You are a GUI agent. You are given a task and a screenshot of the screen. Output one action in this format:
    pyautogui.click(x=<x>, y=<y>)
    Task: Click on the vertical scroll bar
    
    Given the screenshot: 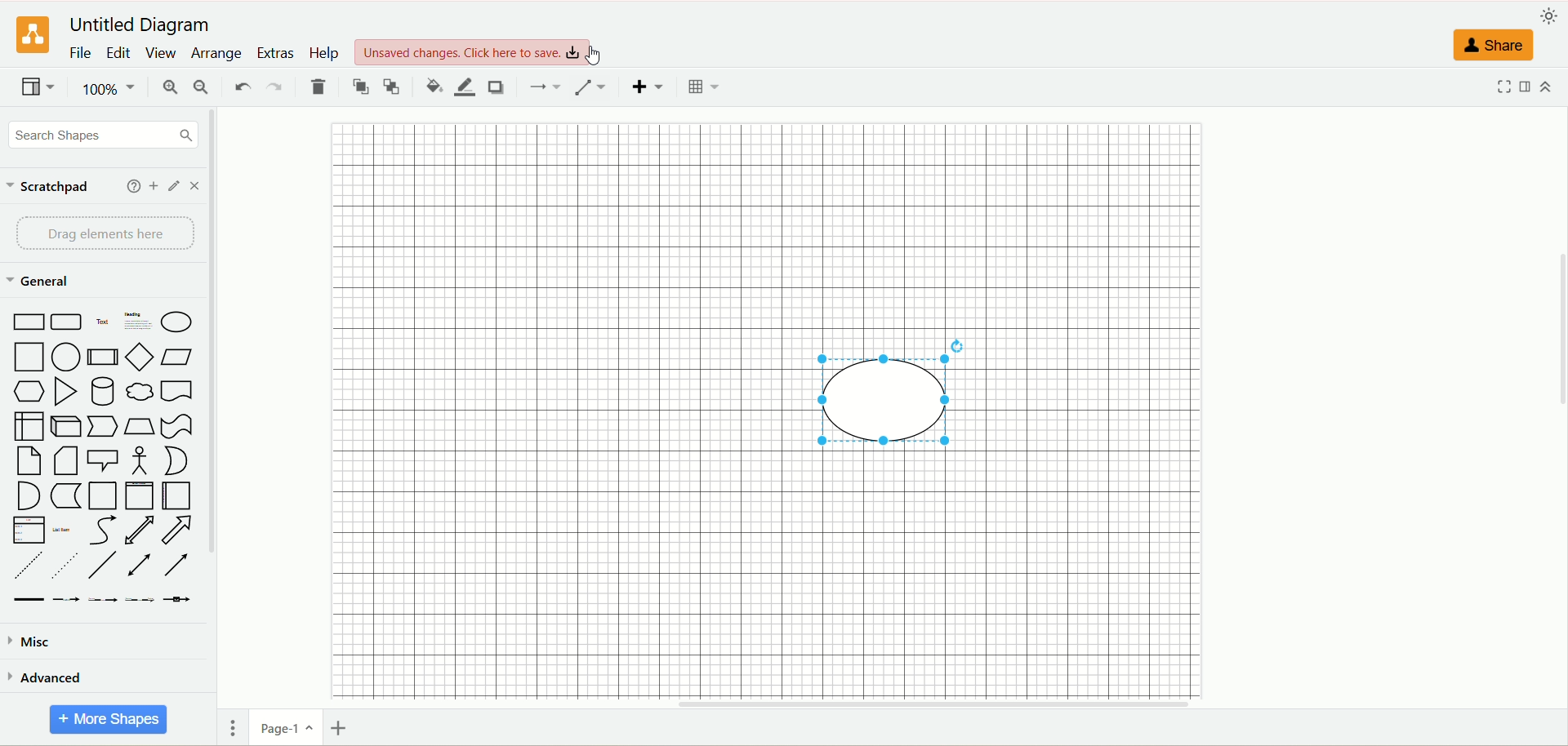 What is the action you would take?
    pyautogui.click(x=216, y=425)
    